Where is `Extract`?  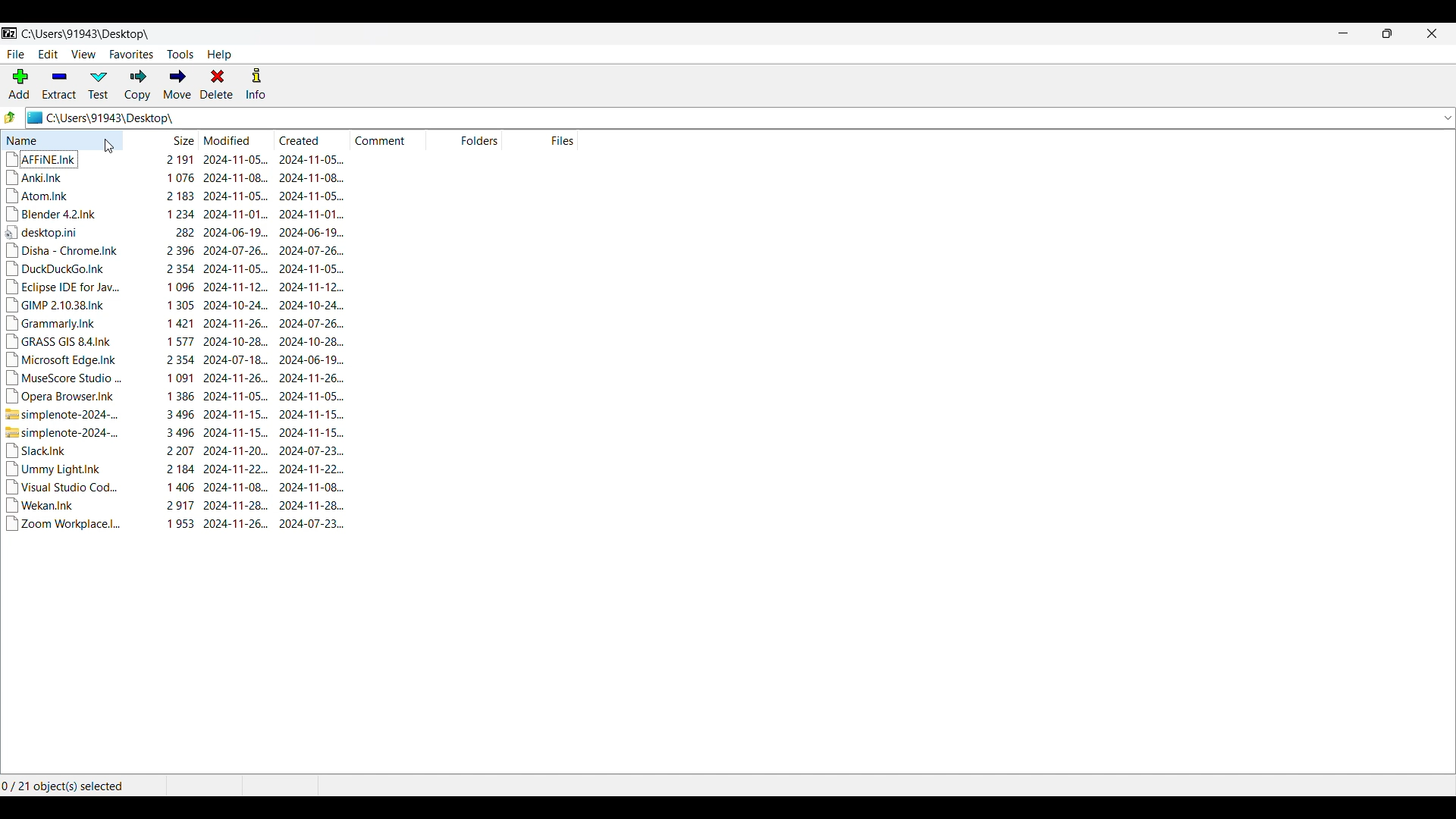 Extract is located at coordinates (59, 86).